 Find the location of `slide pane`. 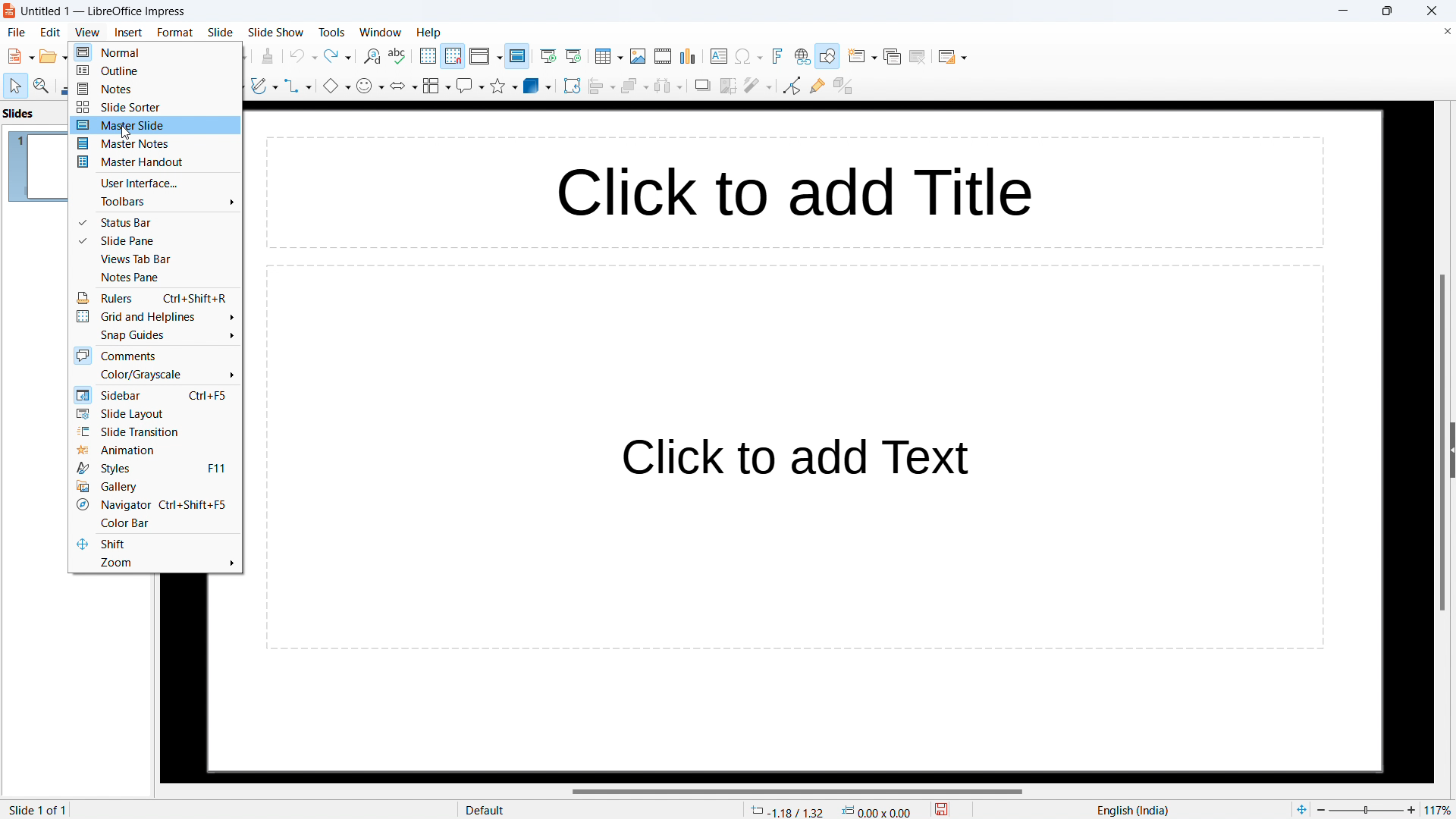

slide pane is located at coordinates (155, 240).